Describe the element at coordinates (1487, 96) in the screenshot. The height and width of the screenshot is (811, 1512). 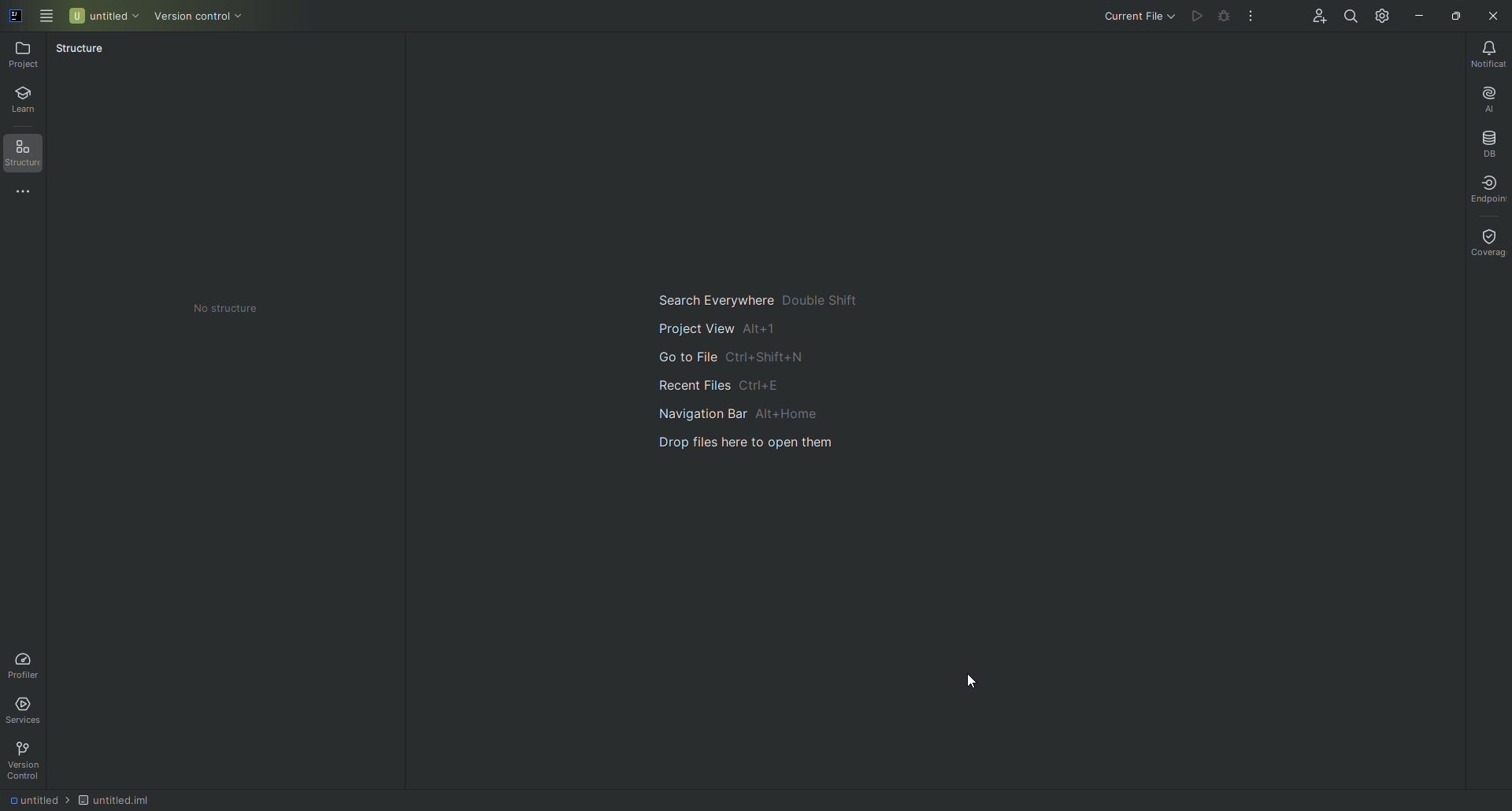
I see `AI Assistant` at that location.